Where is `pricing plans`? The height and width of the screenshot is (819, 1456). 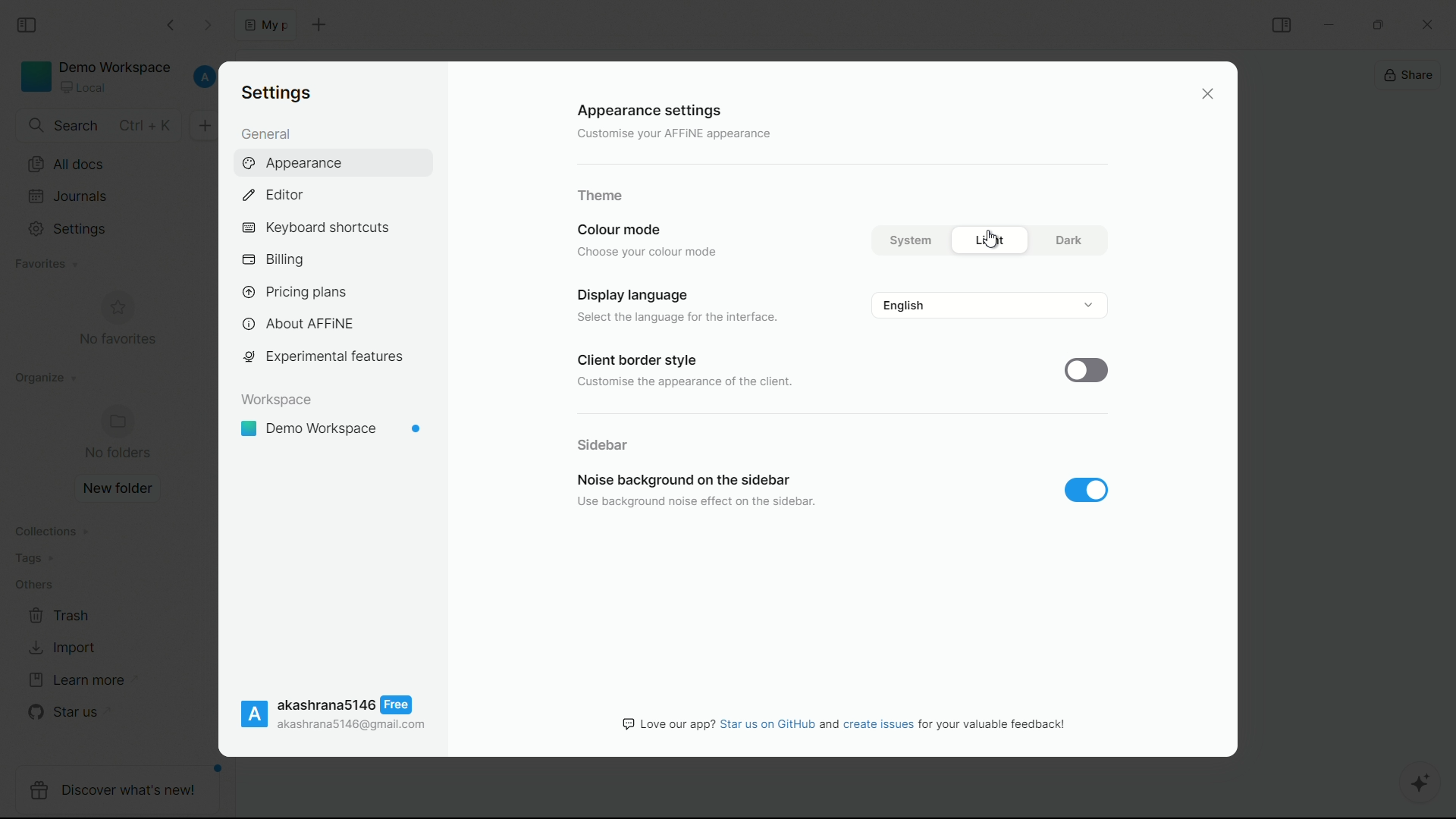
pricing plans is located at coordinates (293, 290).